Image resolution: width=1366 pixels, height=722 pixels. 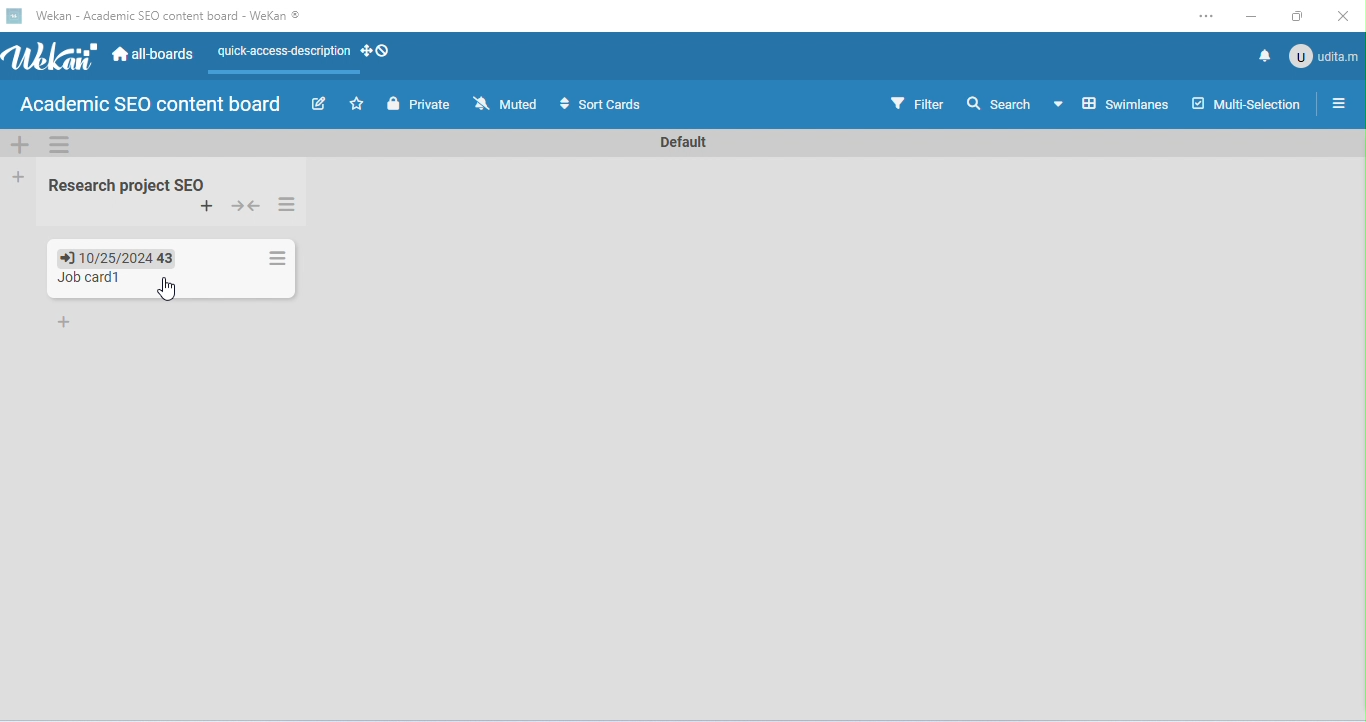 What do you see at coordinates (678, 143) in the screenshot?
I see `default` at bounding box center [678, 143].